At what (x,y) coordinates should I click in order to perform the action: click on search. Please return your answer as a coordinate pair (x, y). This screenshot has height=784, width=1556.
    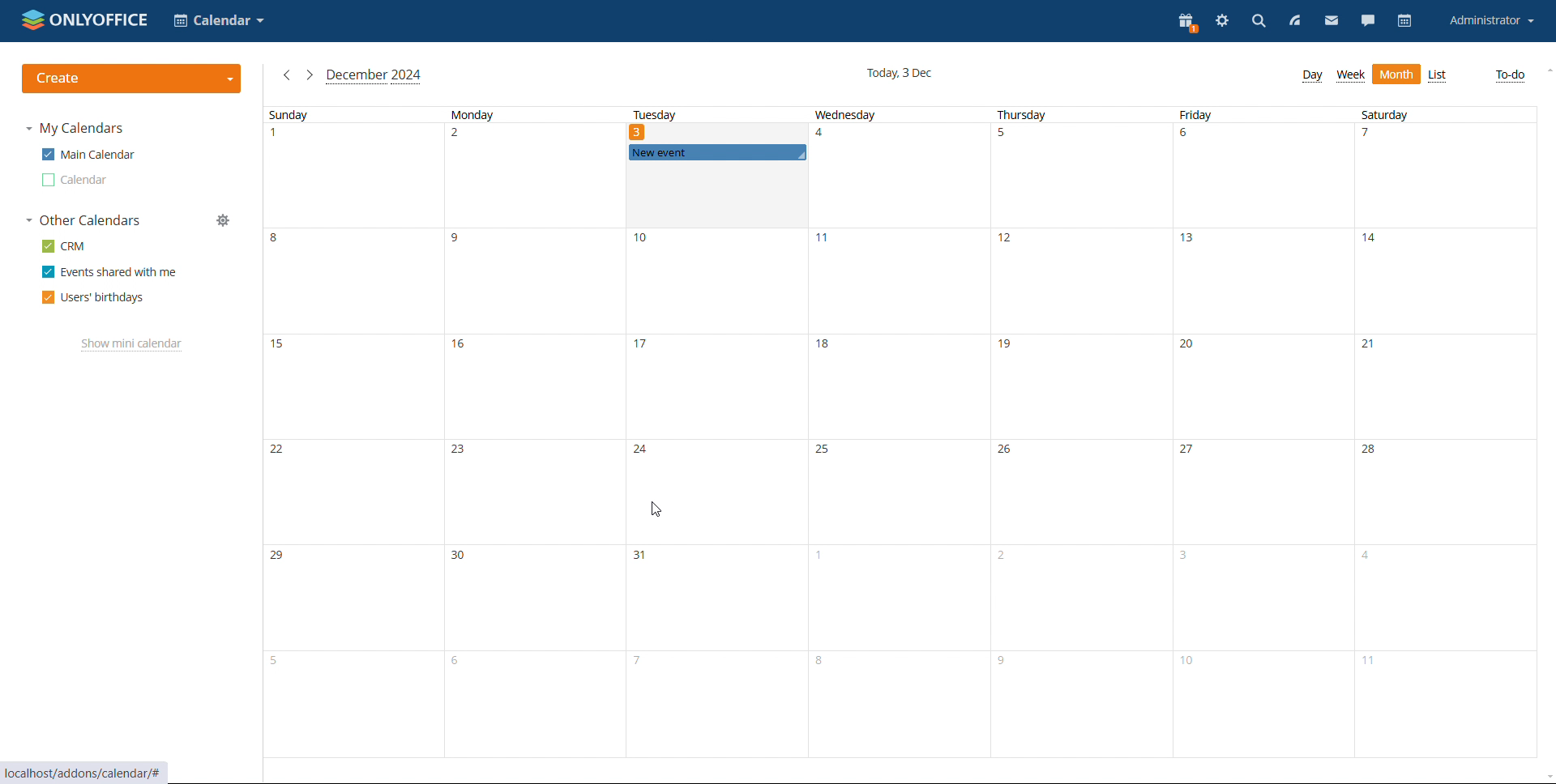
    Looking at the image, I should click on (1259, 23).